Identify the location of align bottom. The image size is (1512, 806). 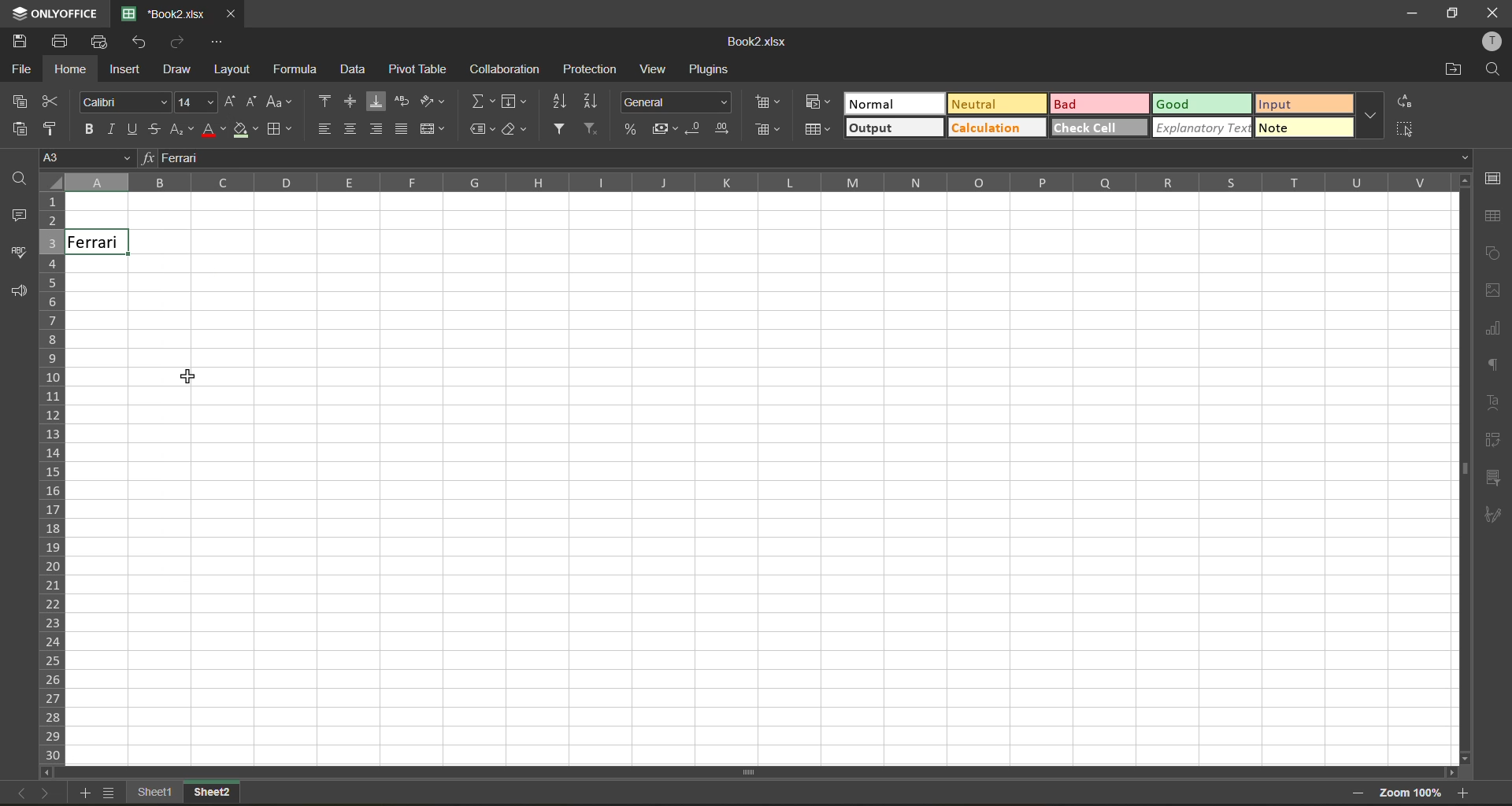
(376, 100).